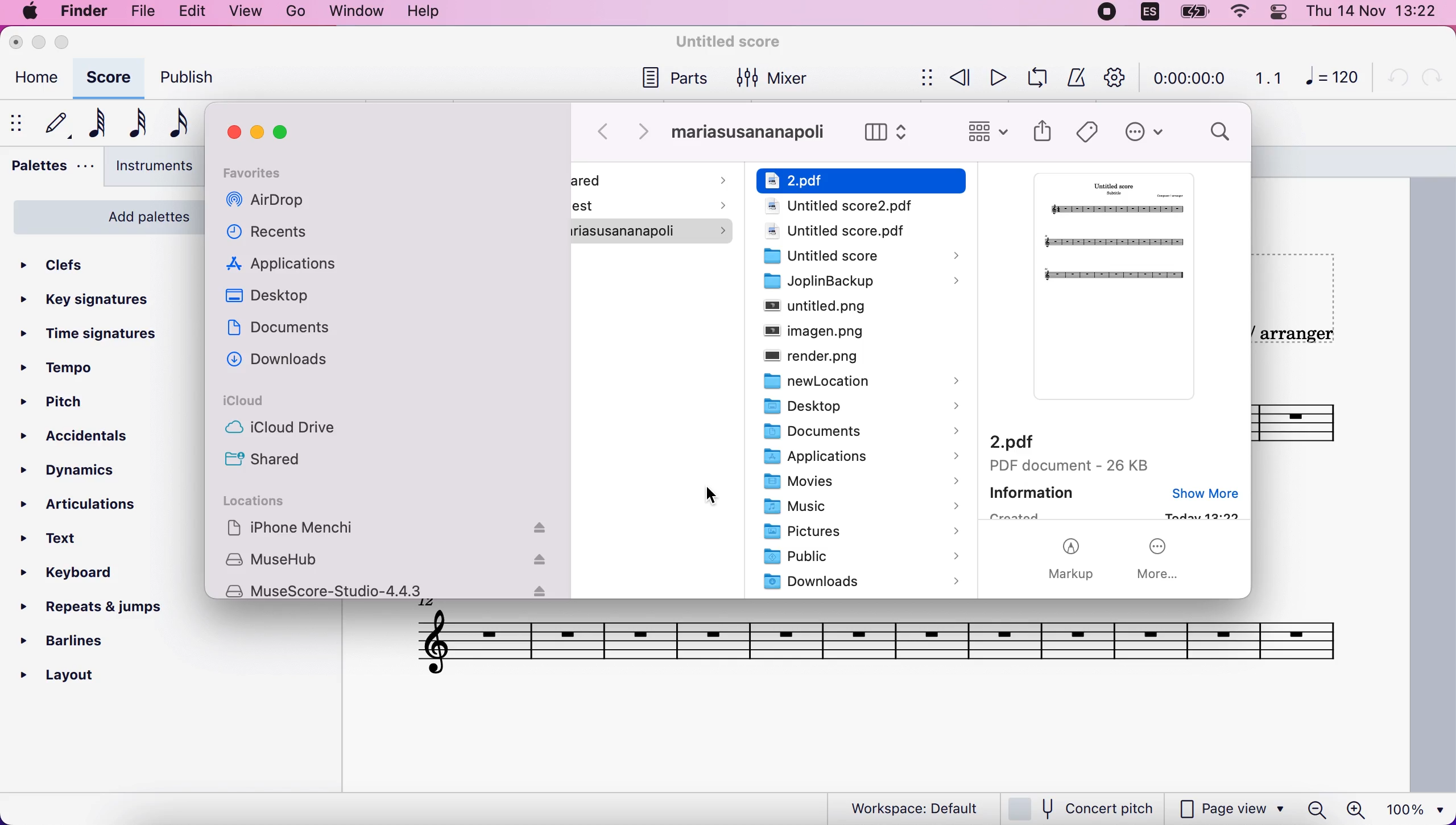  Describe the element at coordinates (852, 407) in the screenshot. I see `[3 Desktop >` at that location.